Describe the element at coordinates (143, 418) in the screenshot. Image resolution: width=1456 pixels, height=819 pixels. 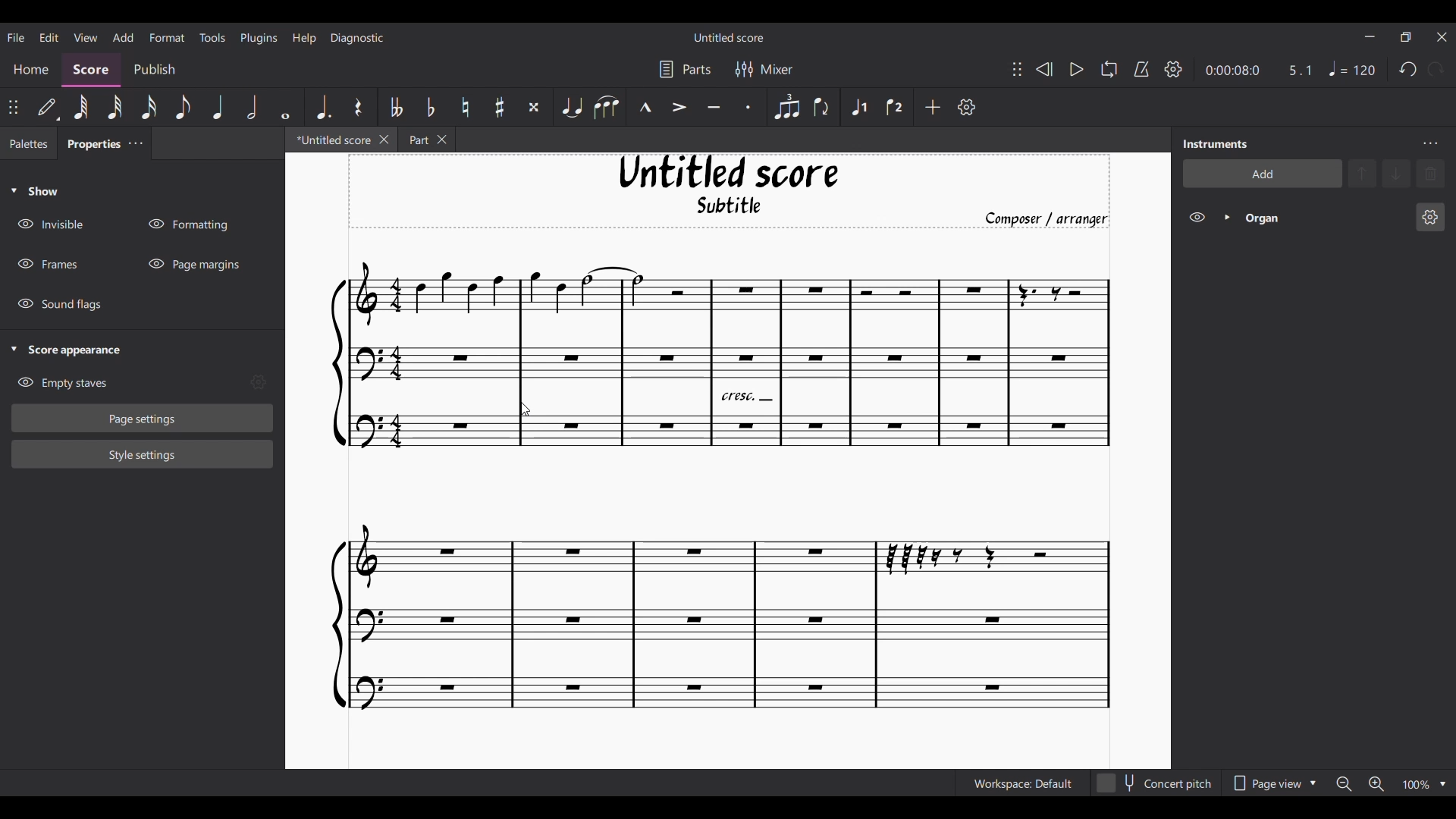
I see `Page settings` at that location.